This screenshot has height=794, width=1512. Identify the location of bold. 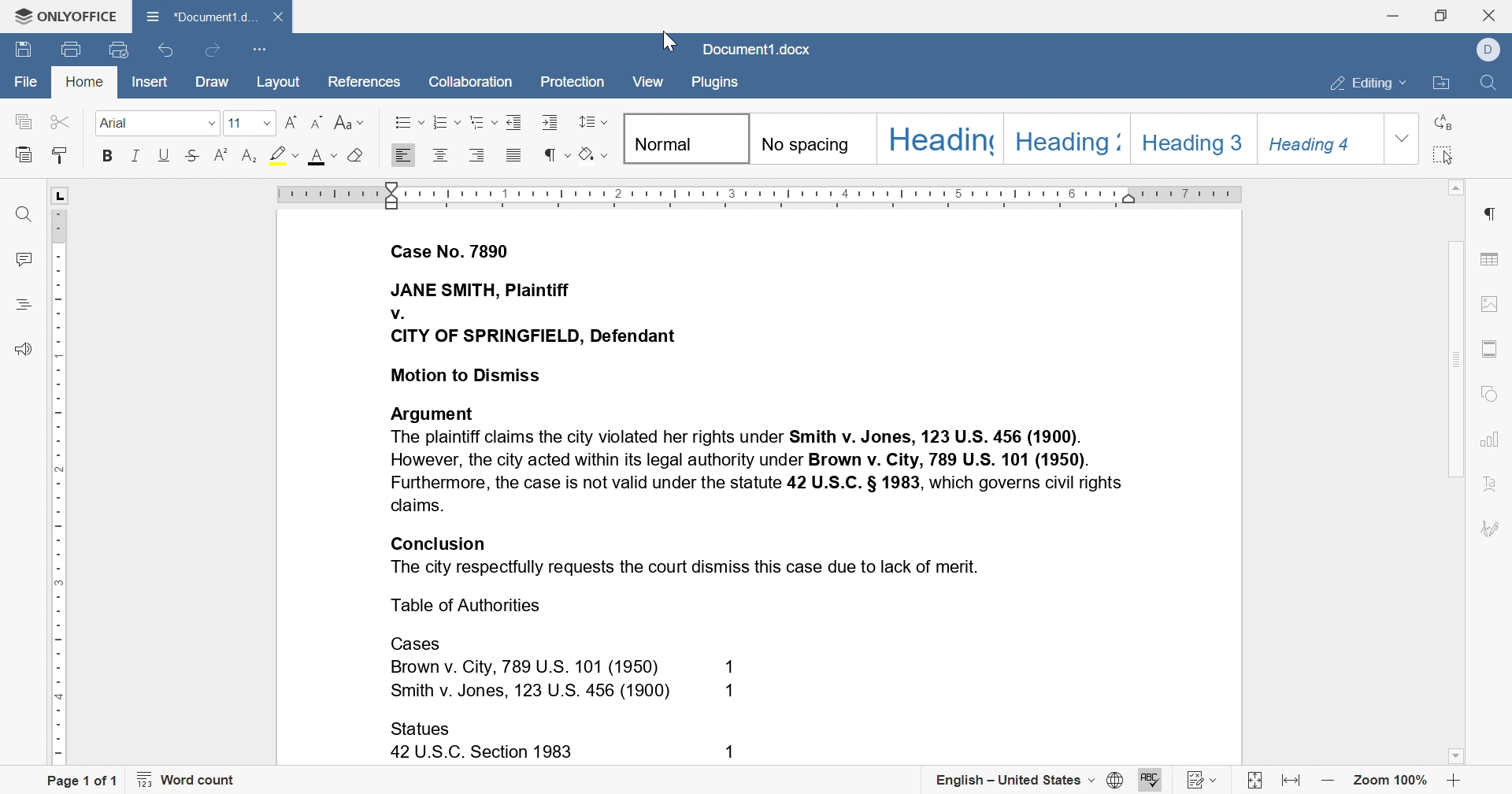
(109, 156).